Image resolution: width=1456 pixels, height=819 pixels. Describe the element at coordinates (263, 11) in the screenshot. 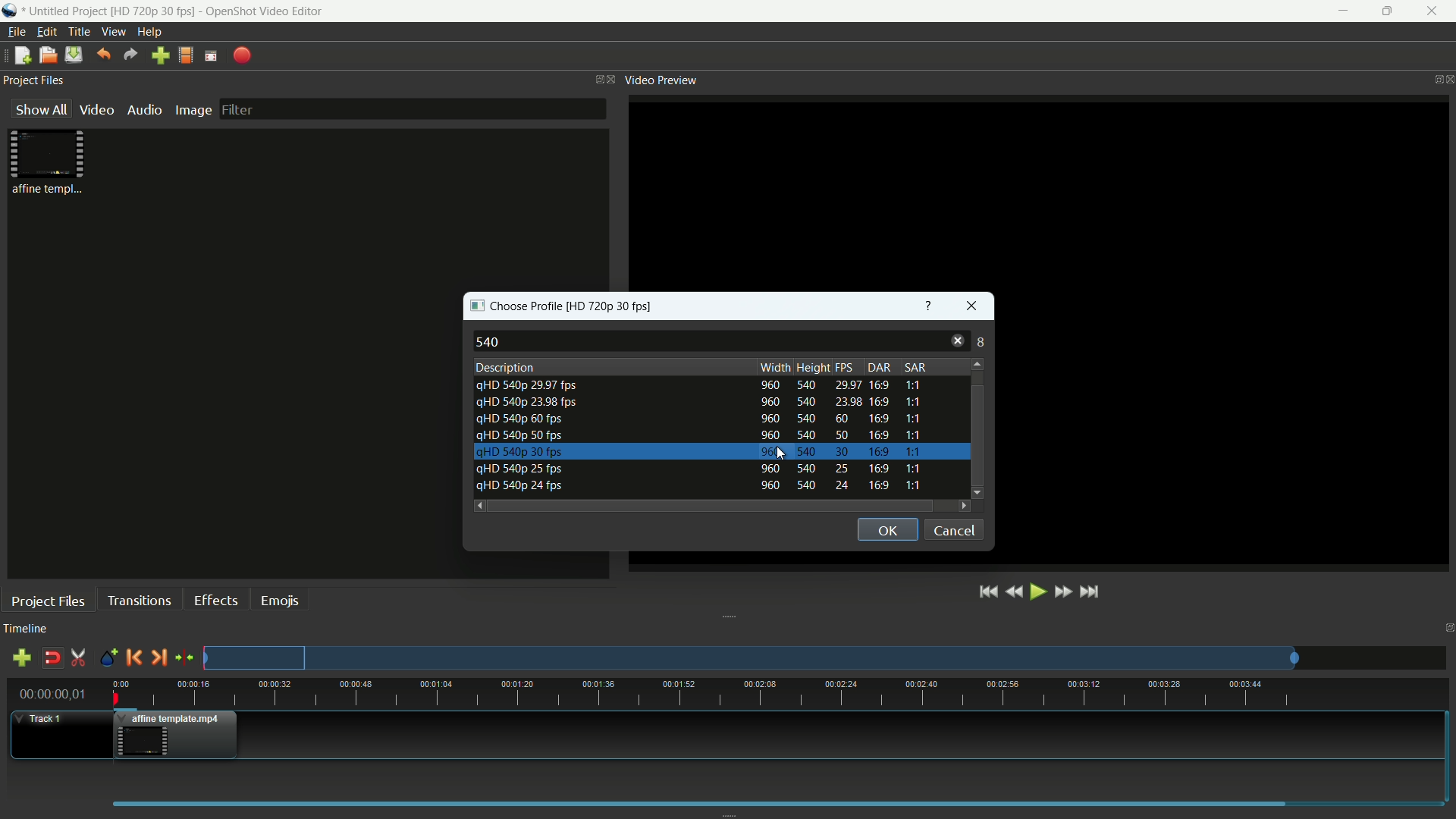

I see `app name` at that location.